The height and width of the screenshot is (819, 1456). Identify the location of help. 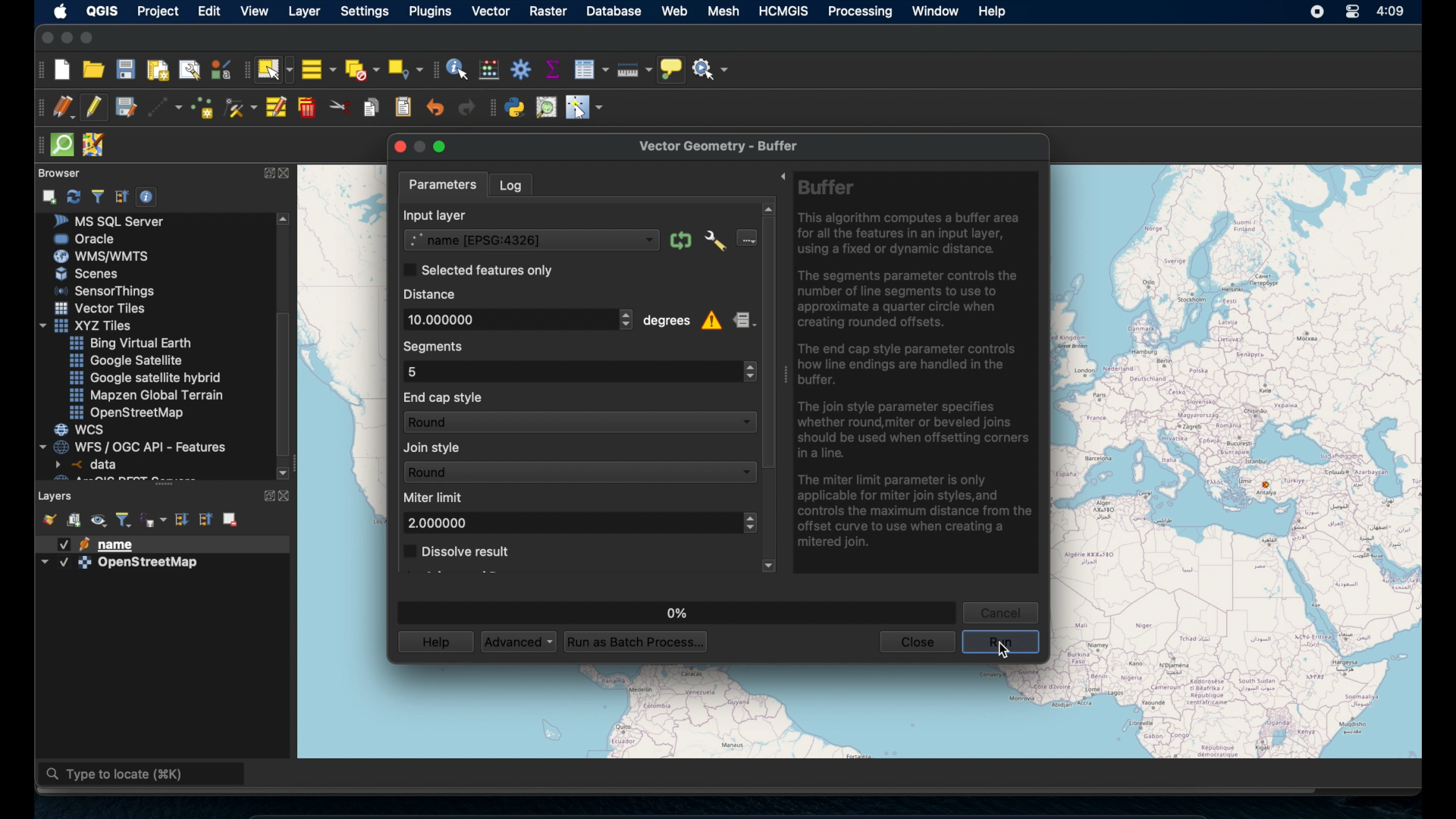
(434, 642).